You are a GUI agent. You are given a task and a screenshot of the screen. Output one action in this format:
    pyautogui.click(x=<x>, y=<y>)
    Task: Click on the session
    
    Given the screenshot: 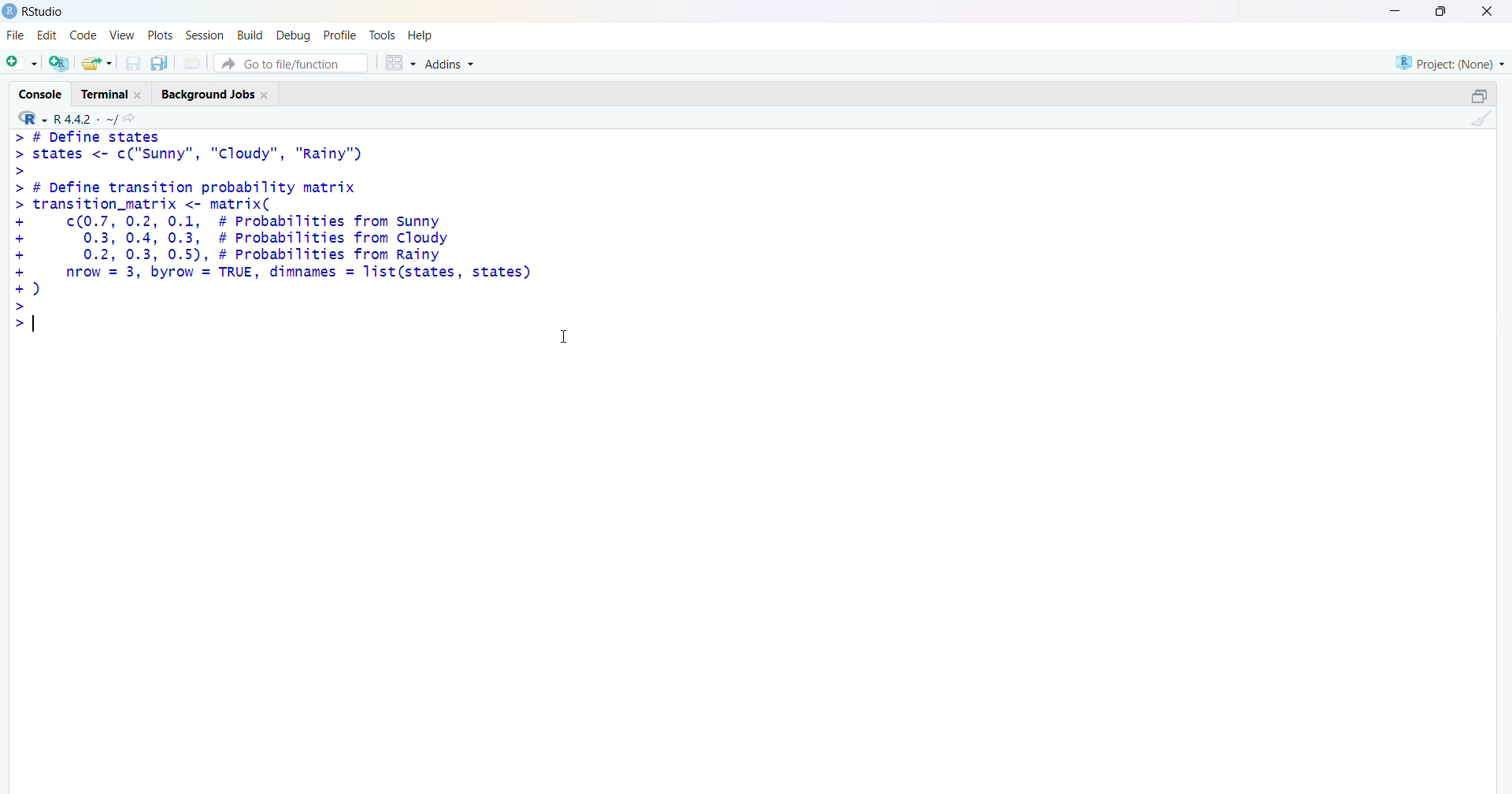 What is the action you would take?
    pyautogui.click(x=206, y=35)
    